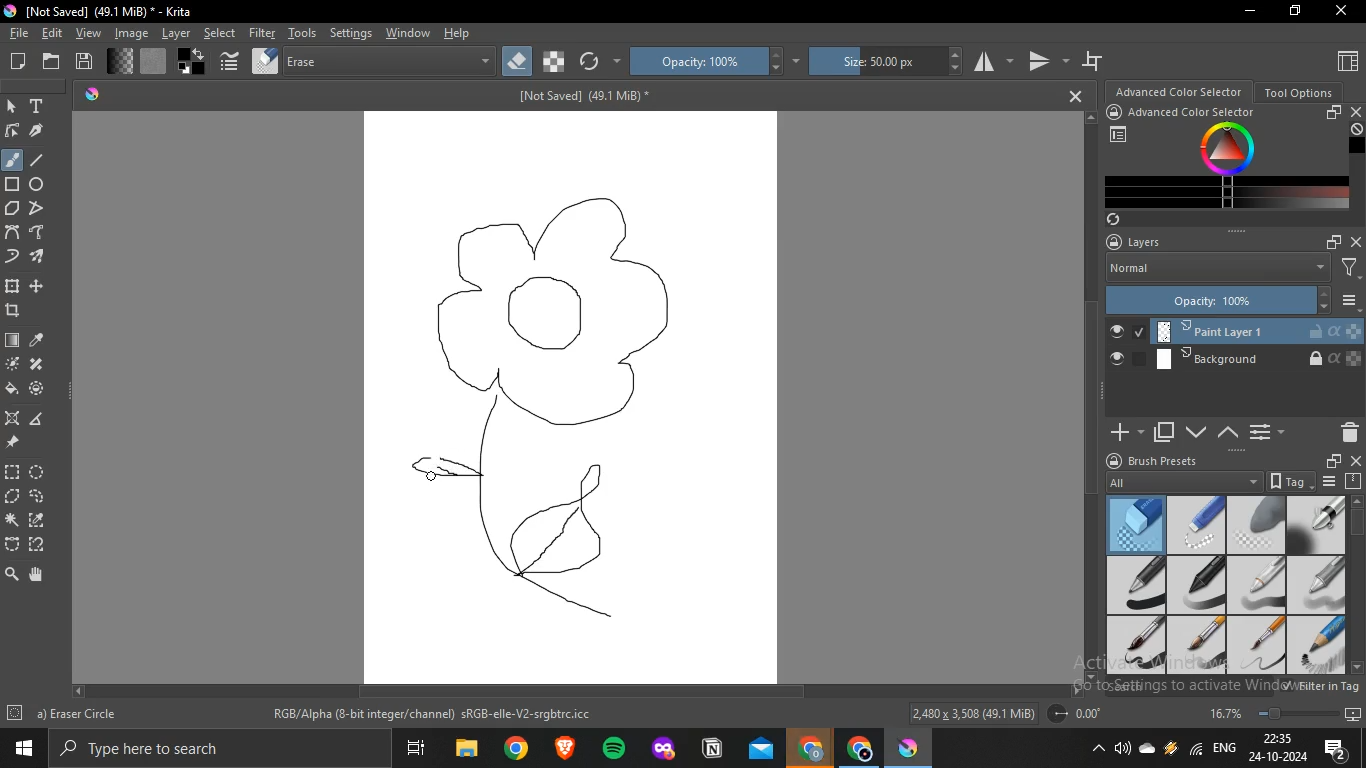 The width and height of the screenshot is (1366, 768). What do you see at coordinates (77, 690) in the screenshot?
I see `left` at bounding box center [77, 690].